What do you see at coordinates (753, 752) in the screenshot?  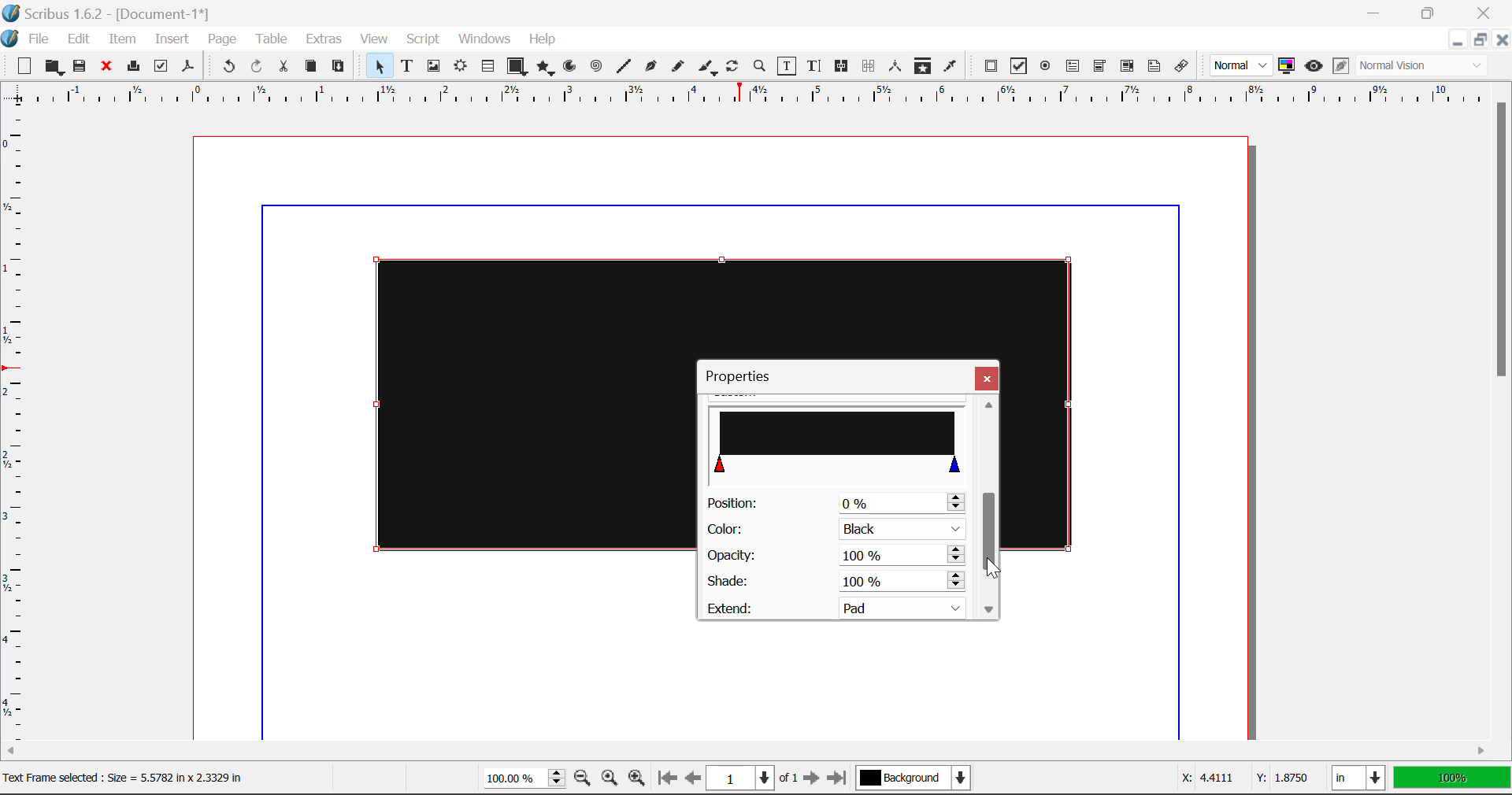 I see `Scroll Bar` at bounding box center [753, 752].